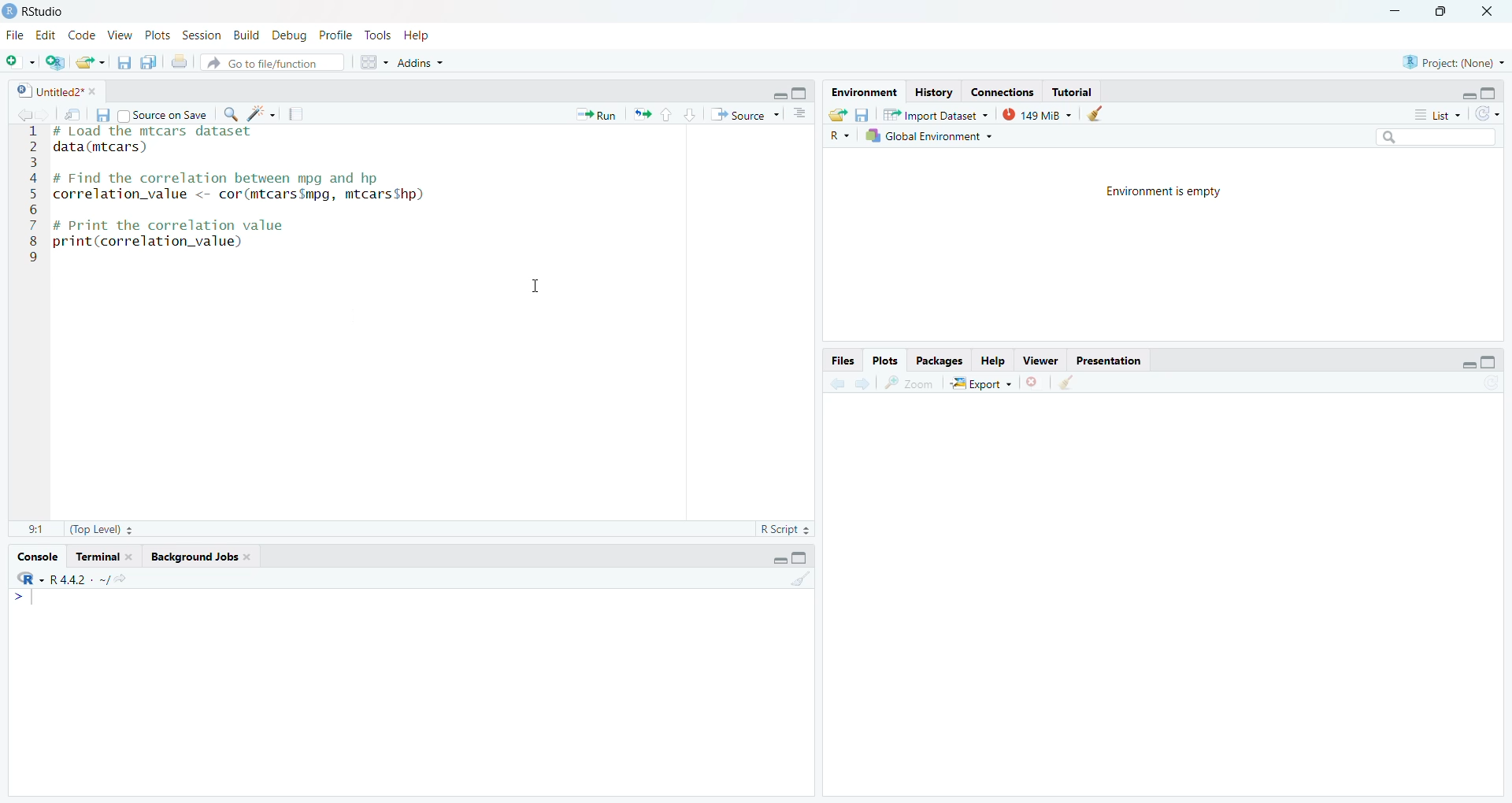  I want to click on Miniimize, so click(1394, 10).